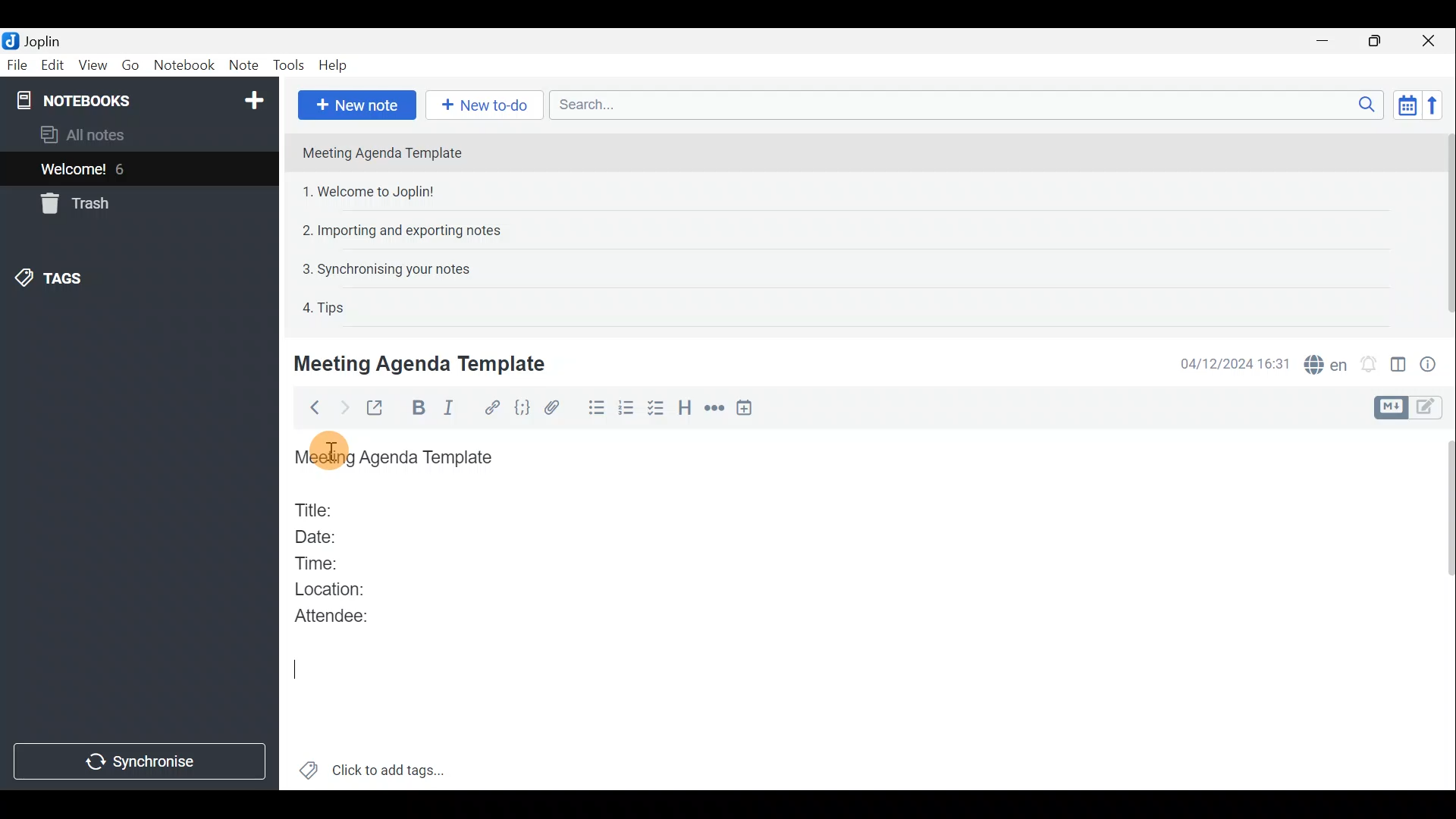 The image size is (1456, 819). Describe the element at coordinates (342, 407) in the screenshot. I see `Forward` at that location.